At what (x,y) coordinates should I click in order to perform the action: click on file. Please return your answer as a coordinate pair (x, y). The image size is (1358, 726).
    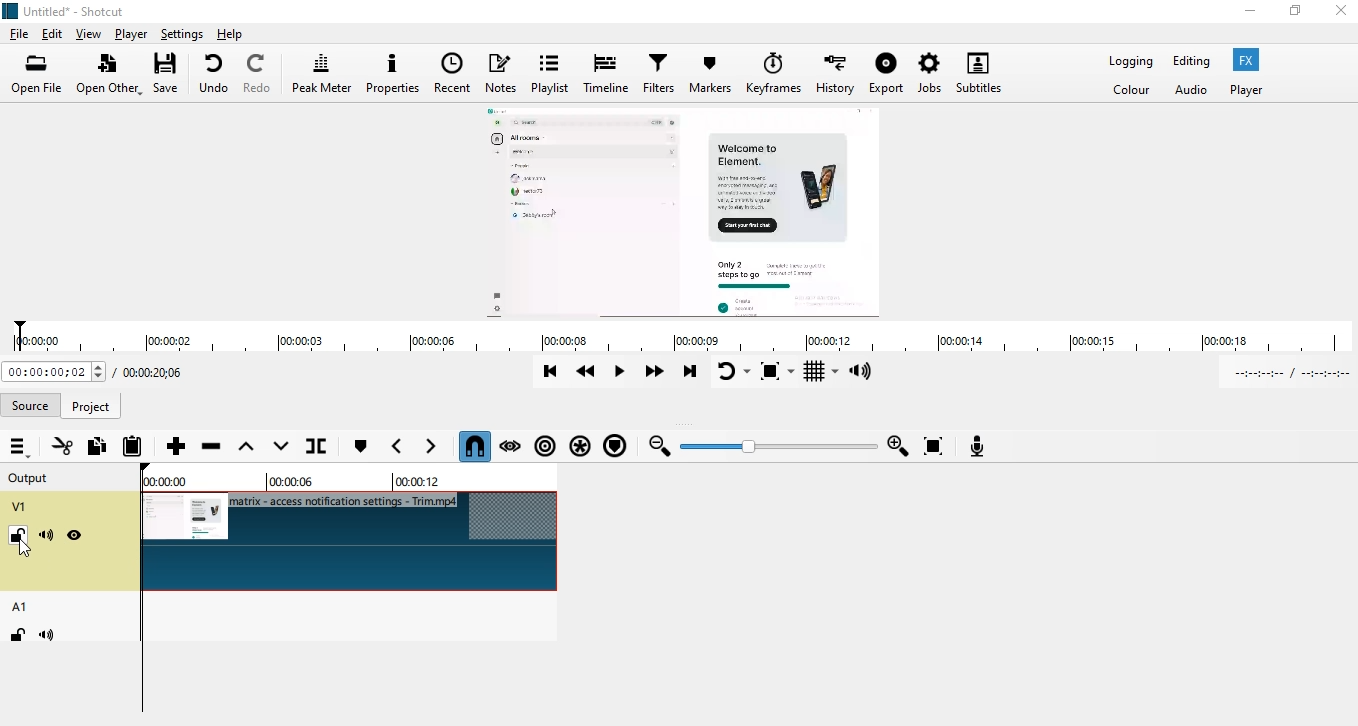
    Looking at the image, I should click on (21, 32).